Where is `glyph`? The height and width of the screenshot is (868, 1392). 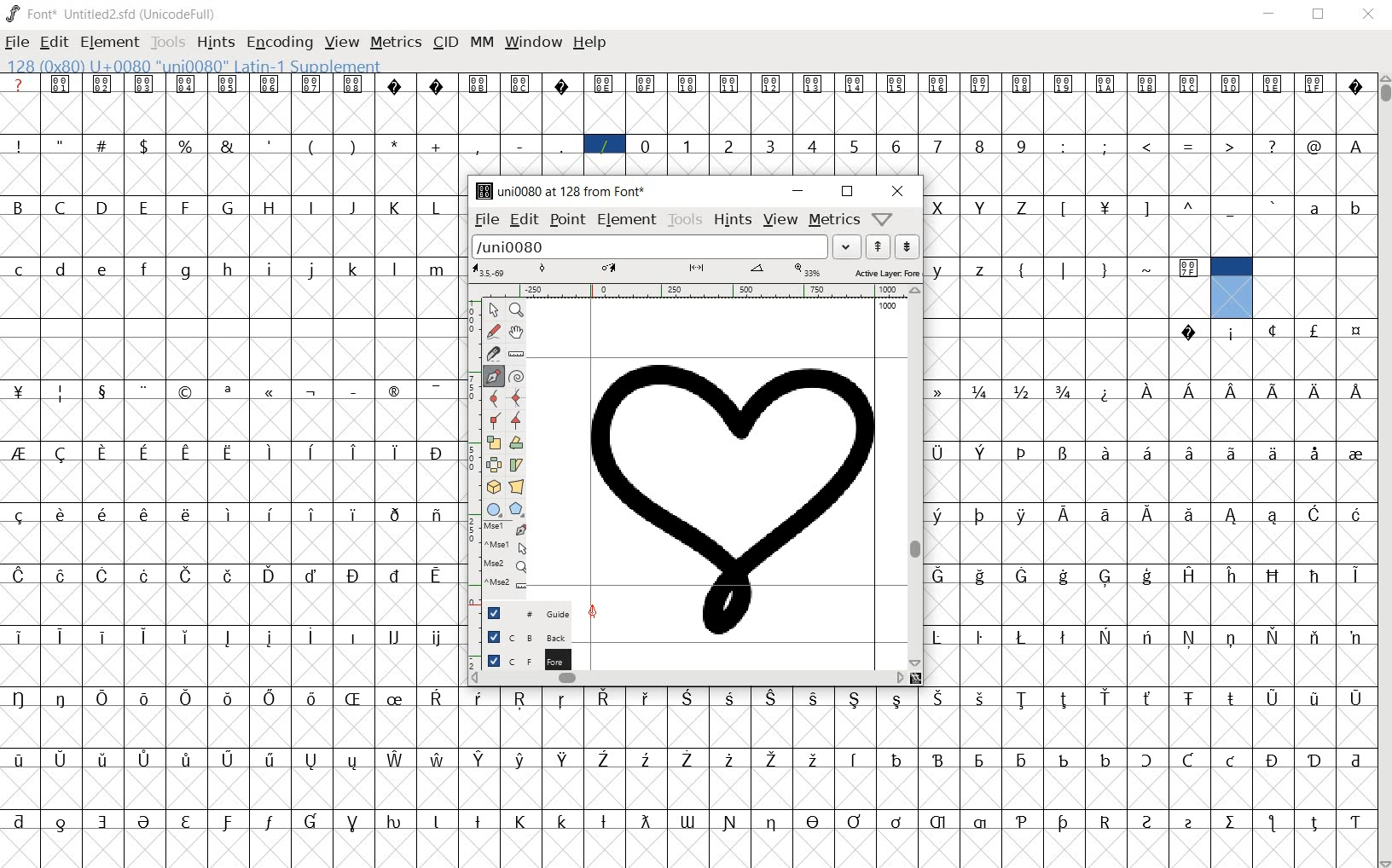
glyph is located at coordinates (19, 453).